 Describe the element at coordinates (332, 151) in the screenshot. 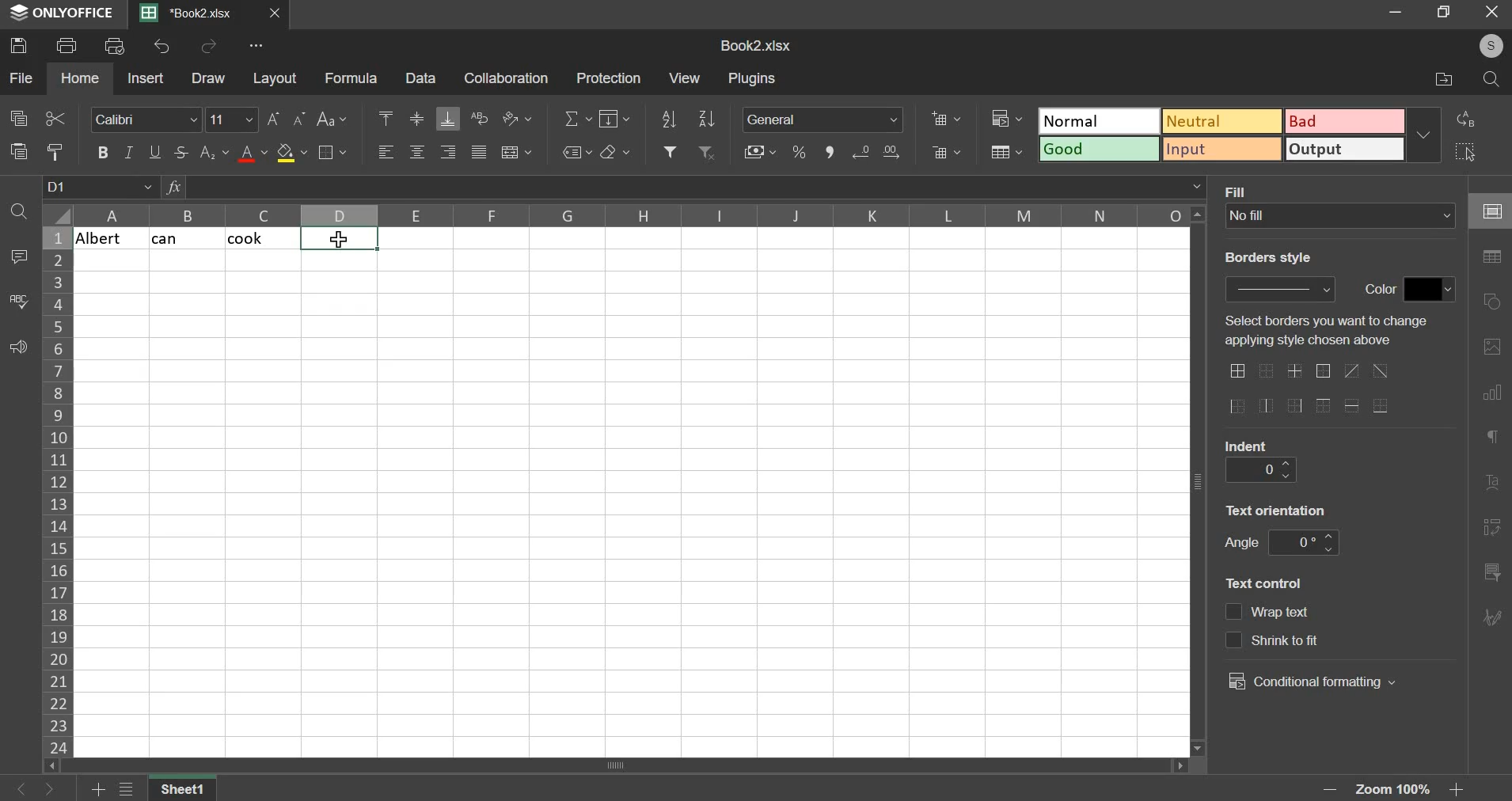

I see `border` at that location.